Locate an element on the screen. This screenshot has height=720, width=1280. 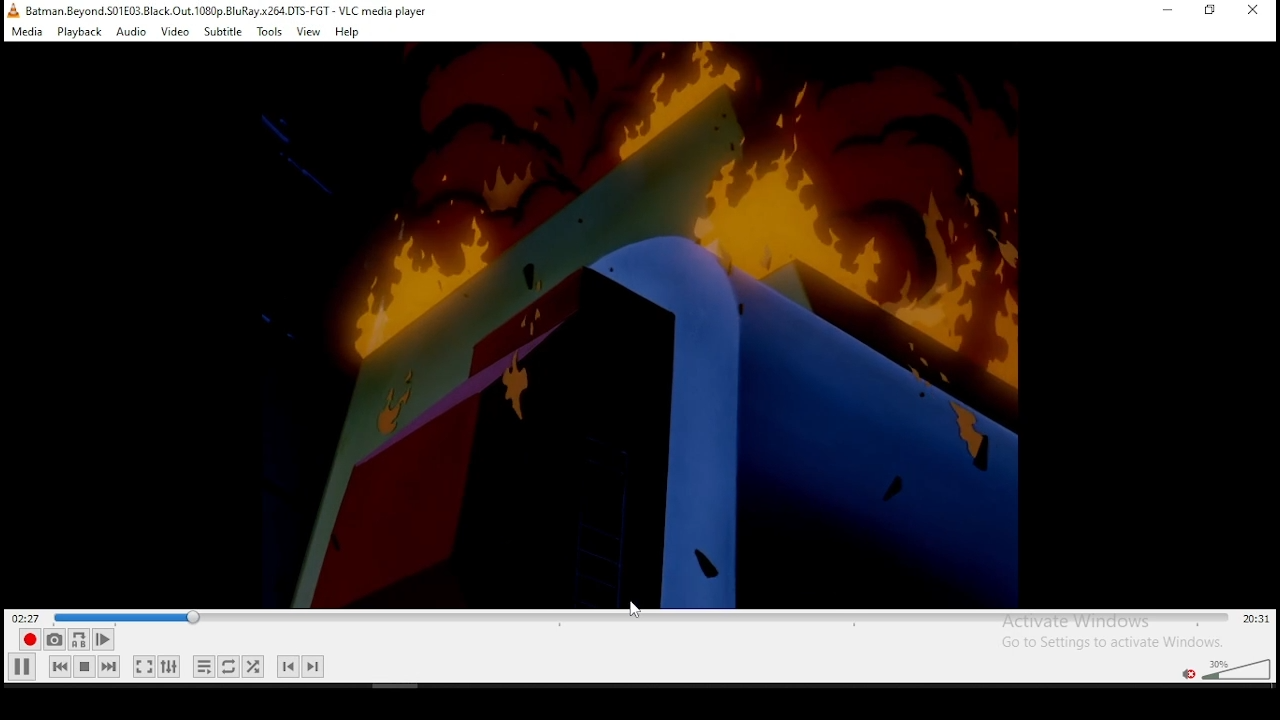
subtitle is located at coordinates (223, 30).